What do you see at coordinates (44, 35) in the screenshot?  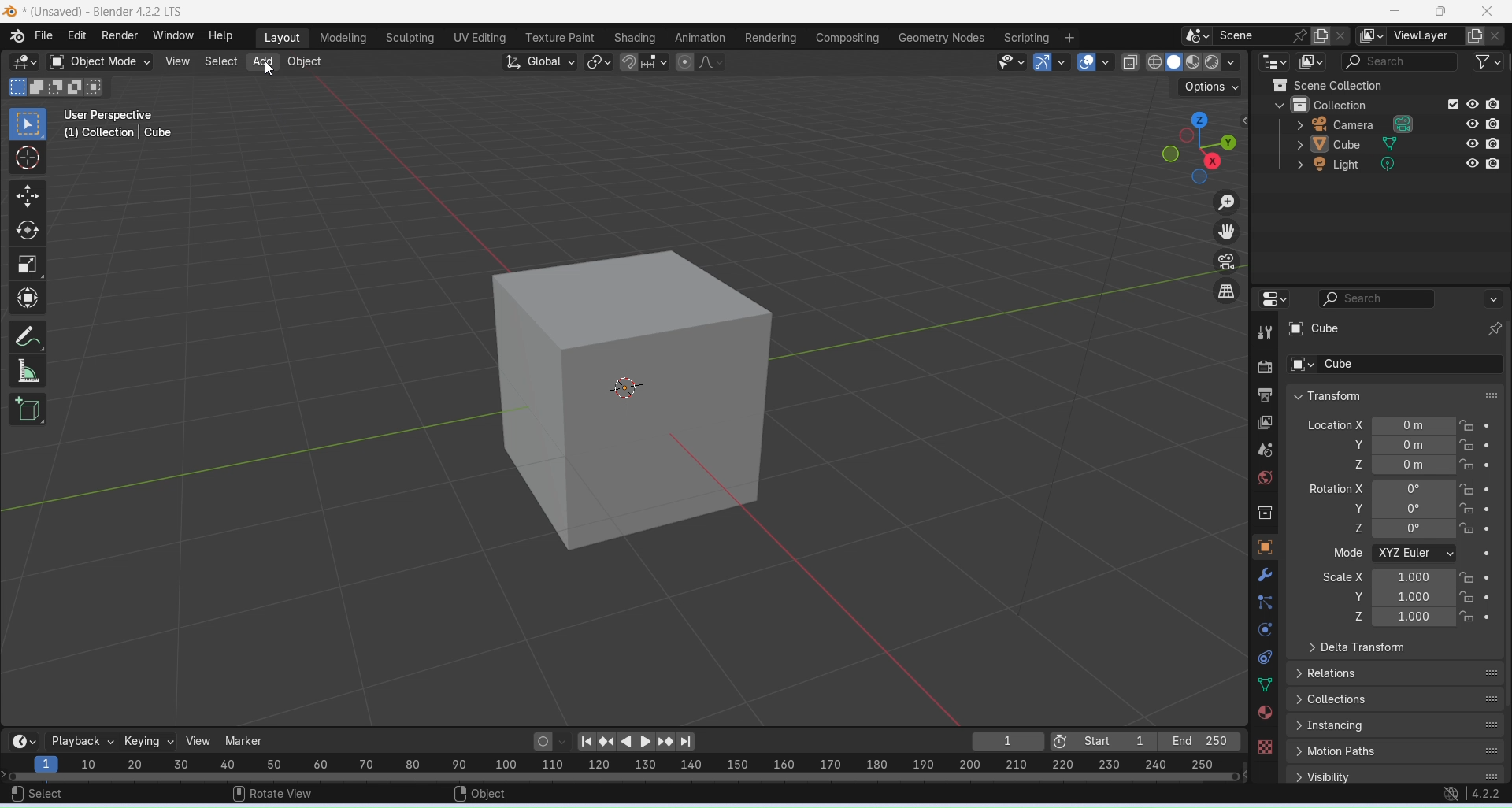 I see `file` at bounding box center [44, 35].